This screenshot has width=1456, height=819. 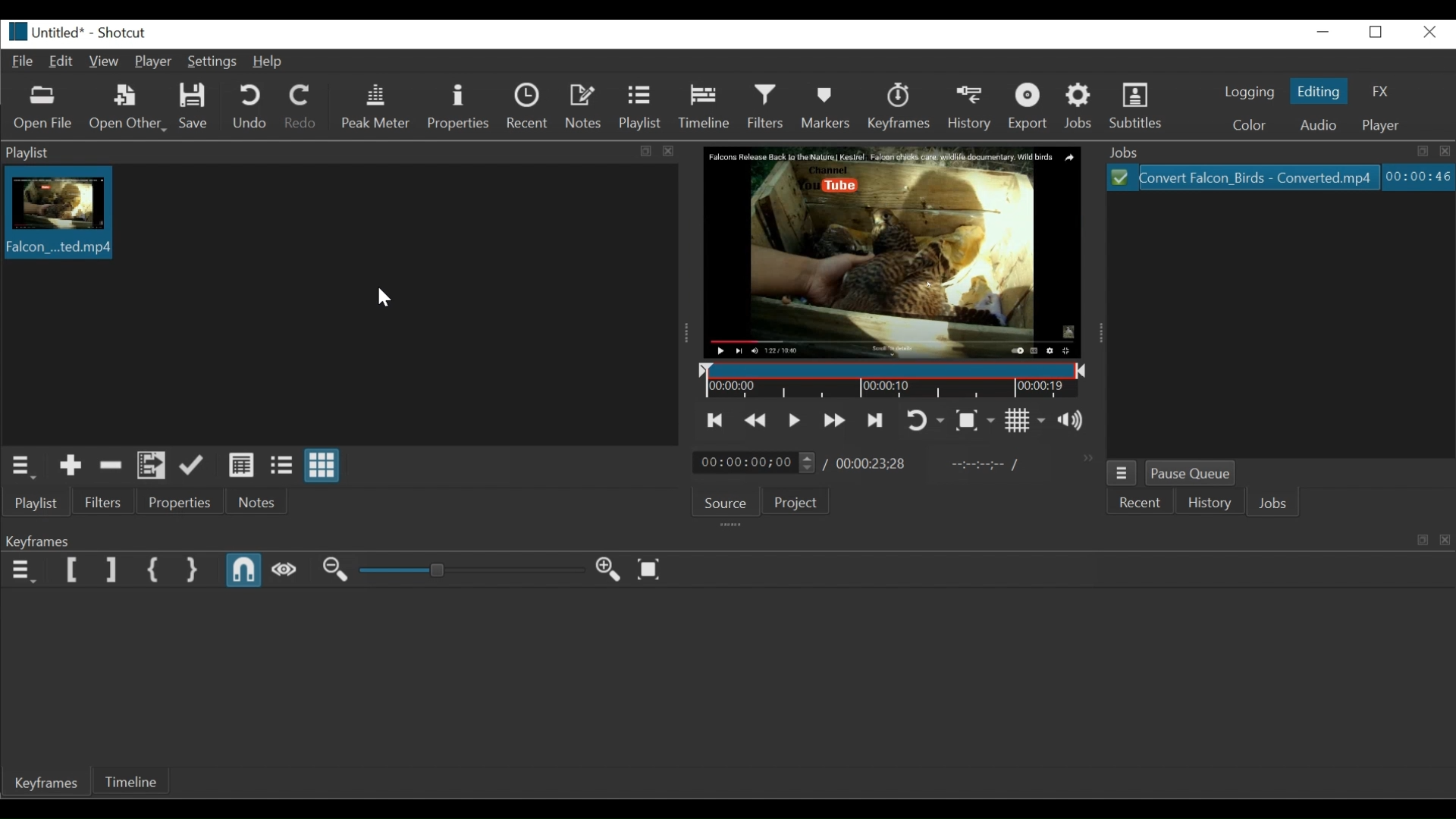 I want to click on Keyframes, so click(x=902, y=107).